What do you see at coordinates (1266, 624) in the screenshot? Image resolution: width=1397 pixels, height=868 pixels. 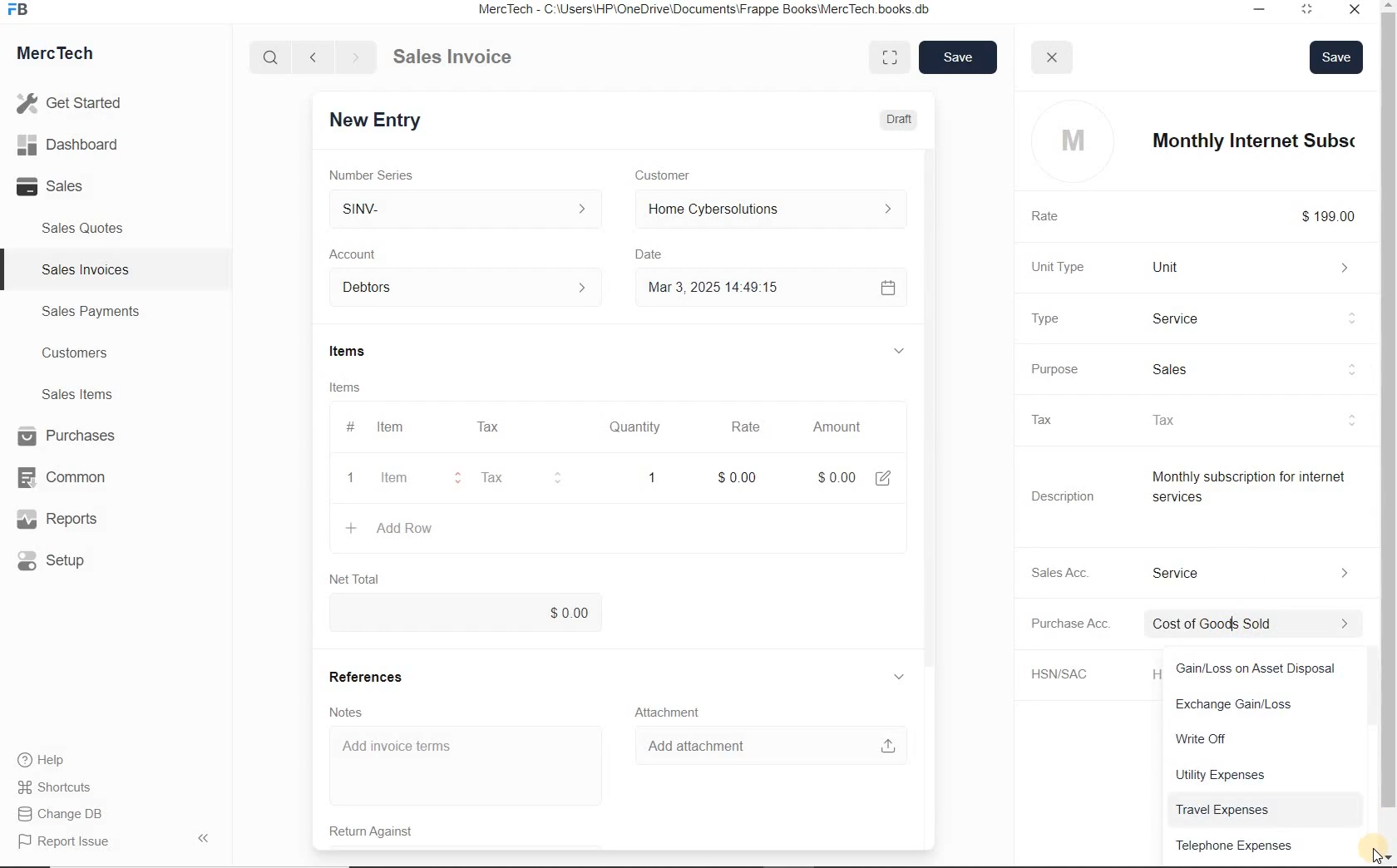 I see `Expense` at bounding box center [1266, 624].